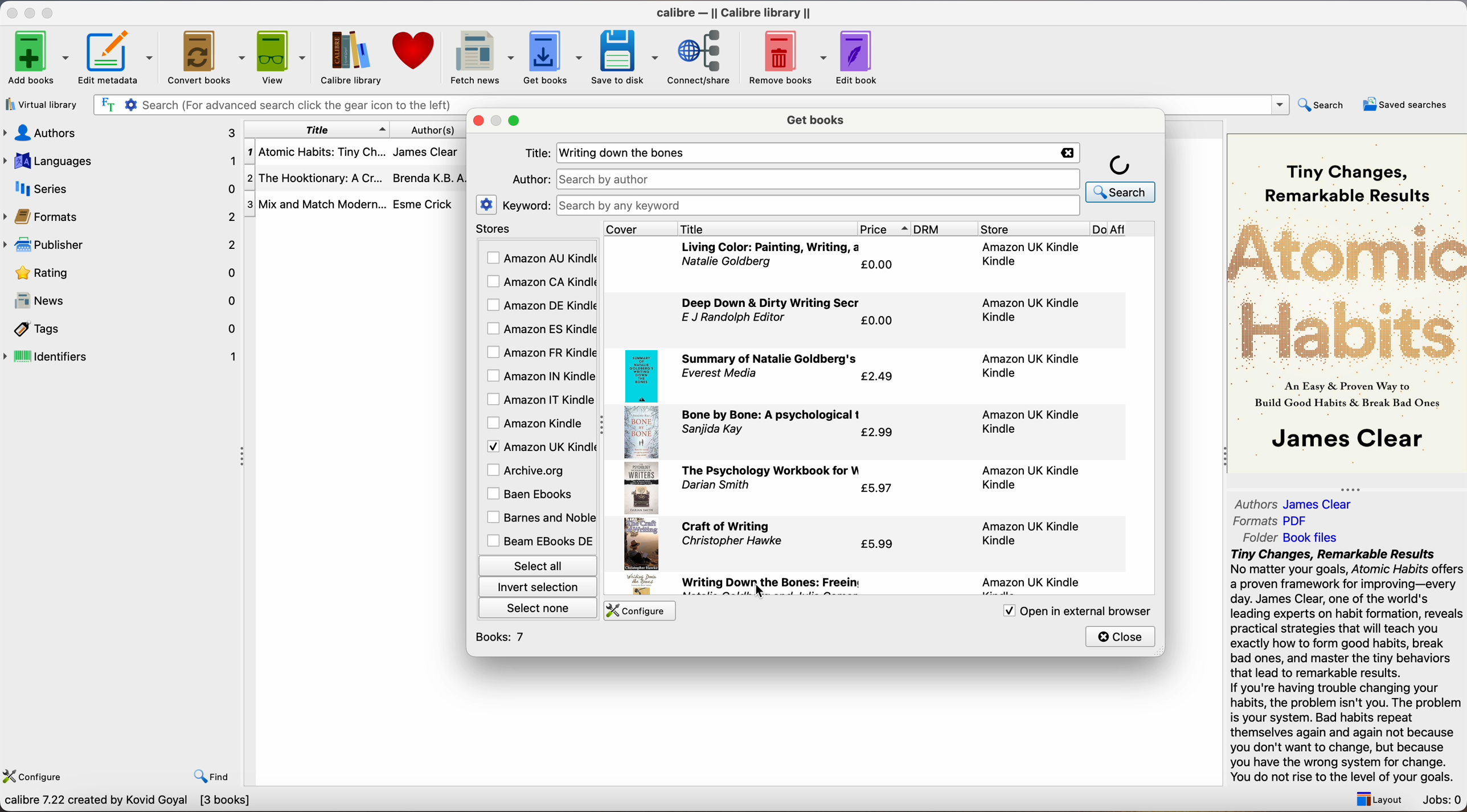 The image size is (1467, 812). What do you see at coordinates (283, 56) in the screenshot?
I see `view` at bounding box center [283, 56].